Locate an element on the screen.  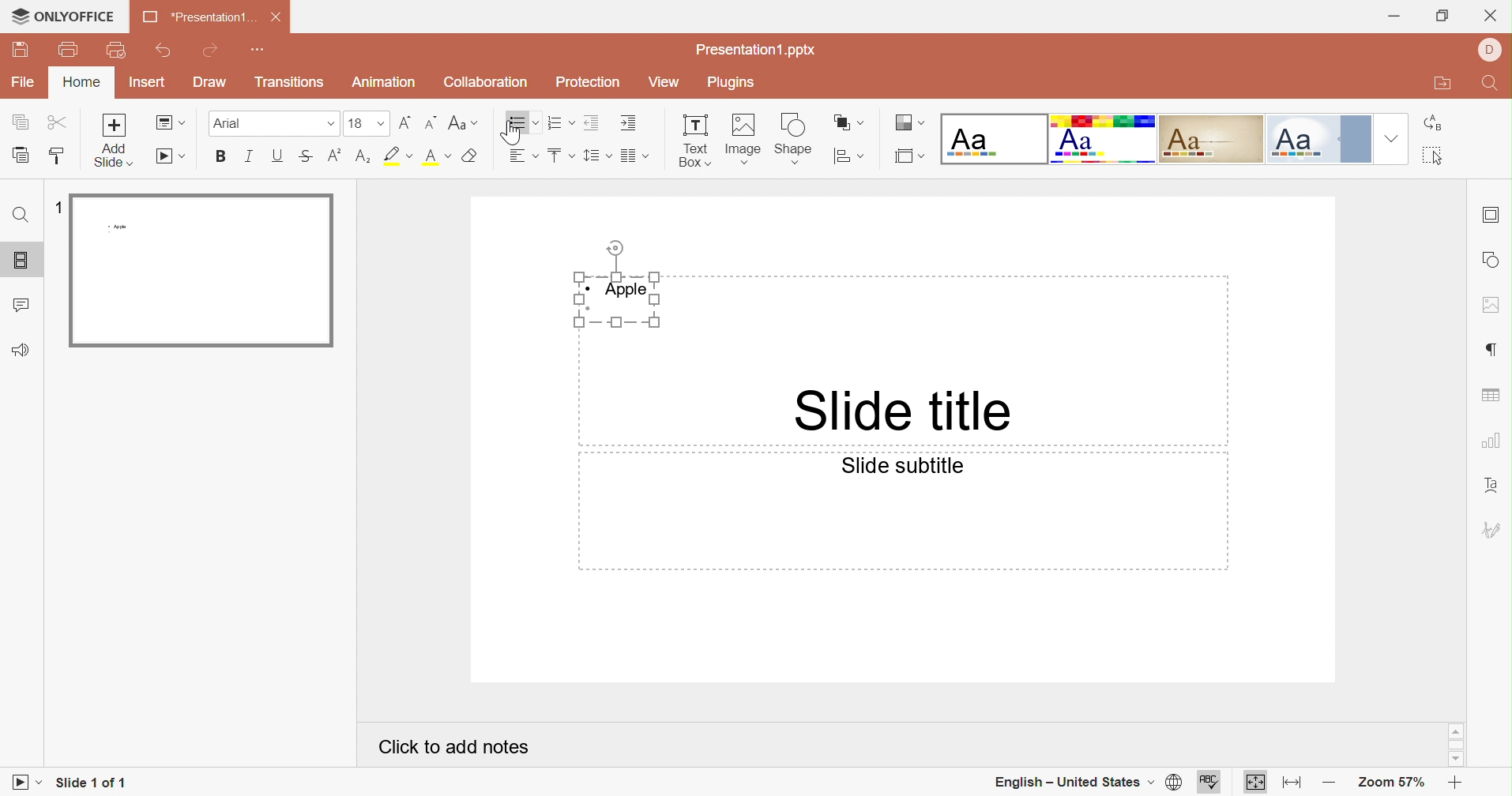
Scroll Up is located at coordinates (1452, 731).